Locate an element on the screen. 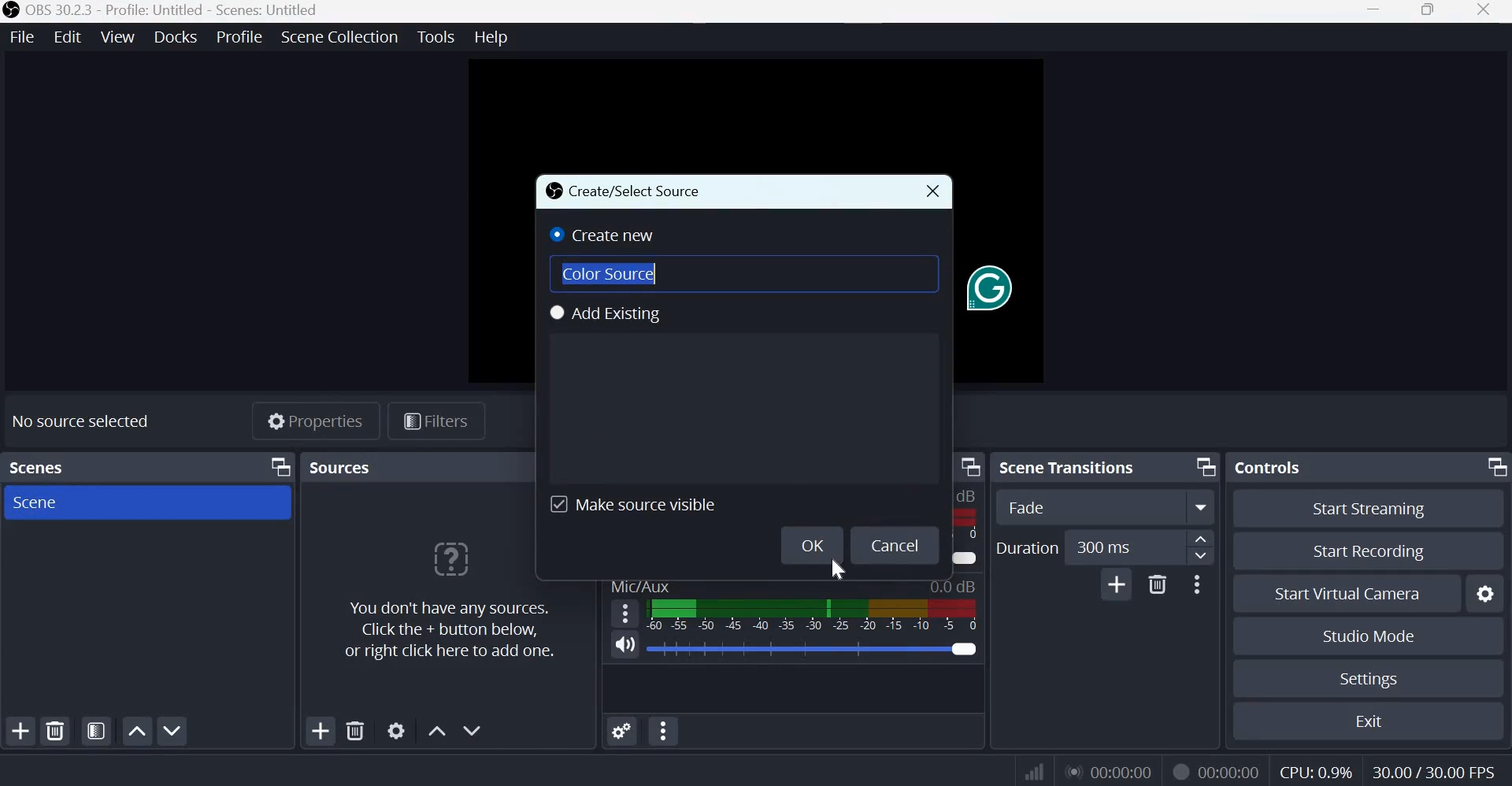  Speaker icon is located at coordinates (625, 645).